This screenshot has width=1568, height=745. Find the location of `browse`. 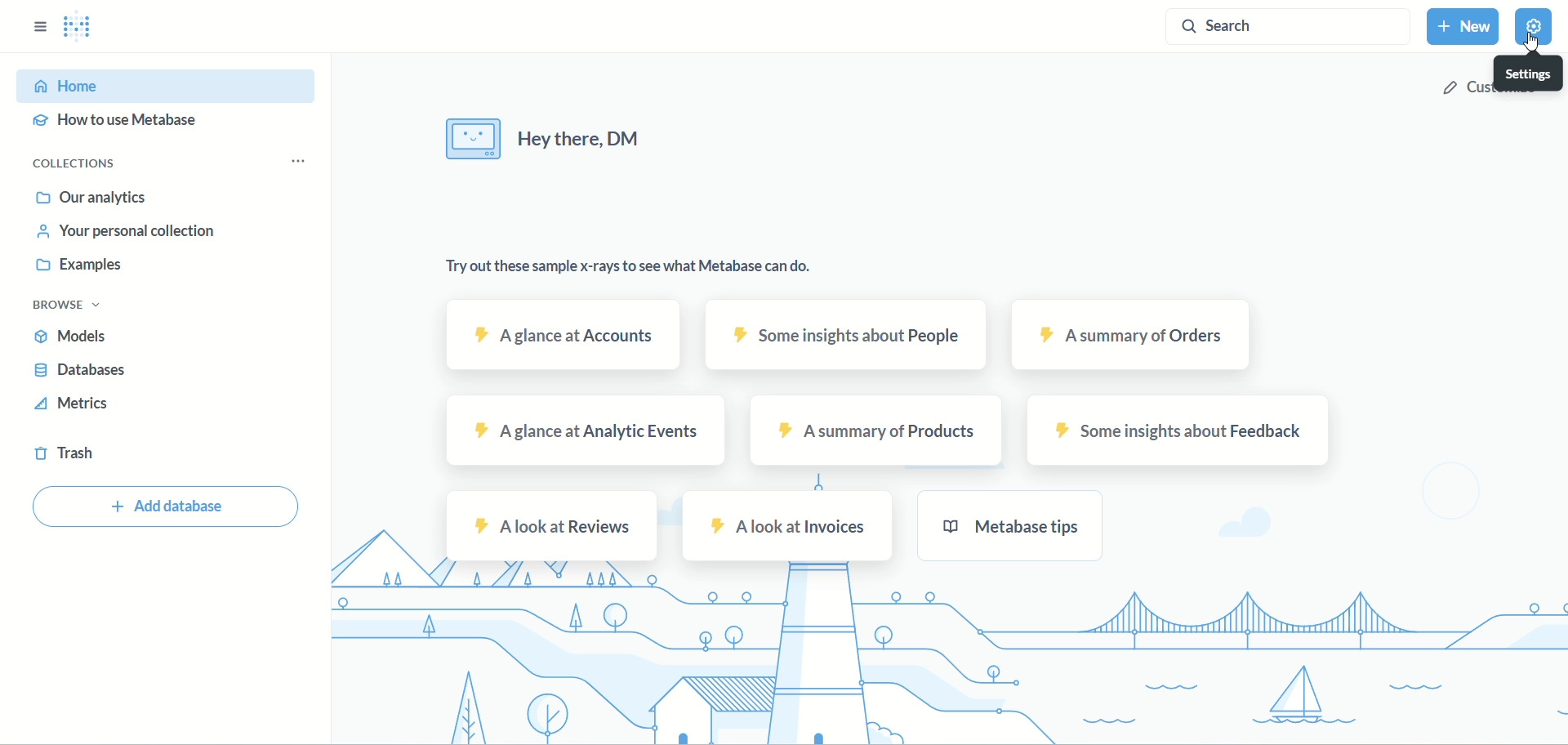

browse is located at coordinates (62, 306).